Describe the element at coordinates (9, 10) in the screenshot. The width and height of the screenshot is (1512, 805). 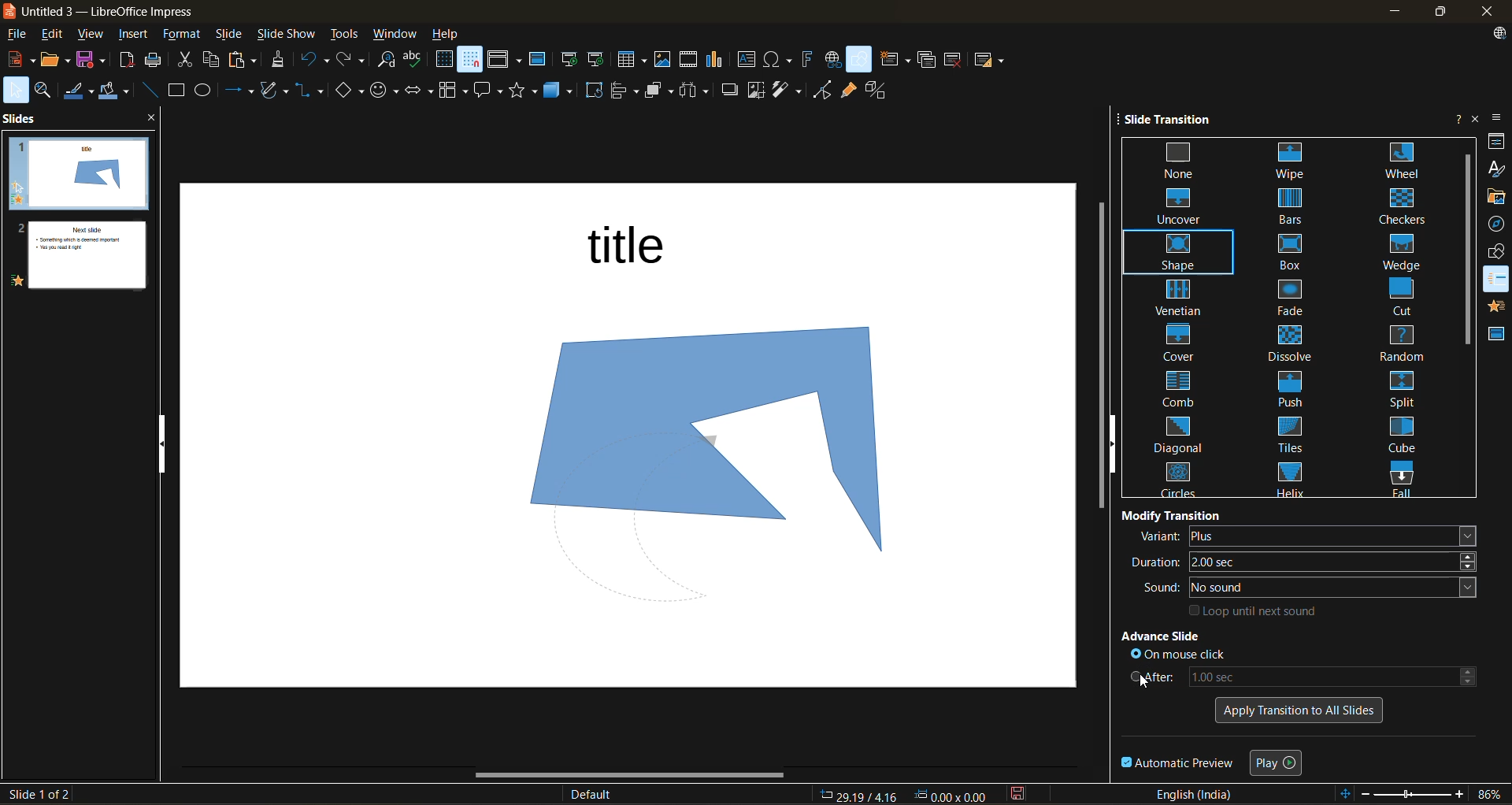
I see `logo` at that location.